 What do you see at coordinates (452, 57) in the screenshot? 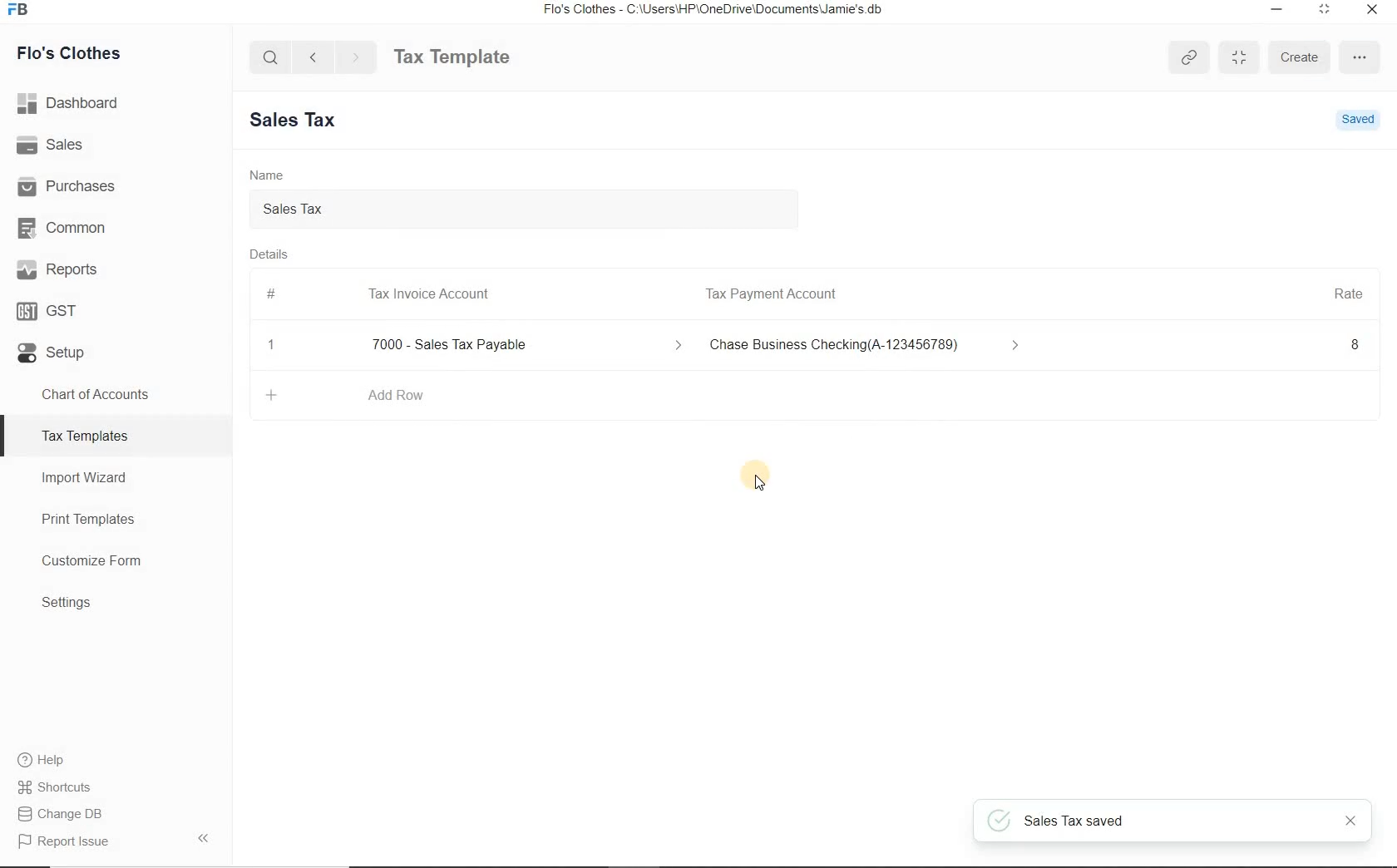
I see `Tax Template` at bounding box center [452, 57].